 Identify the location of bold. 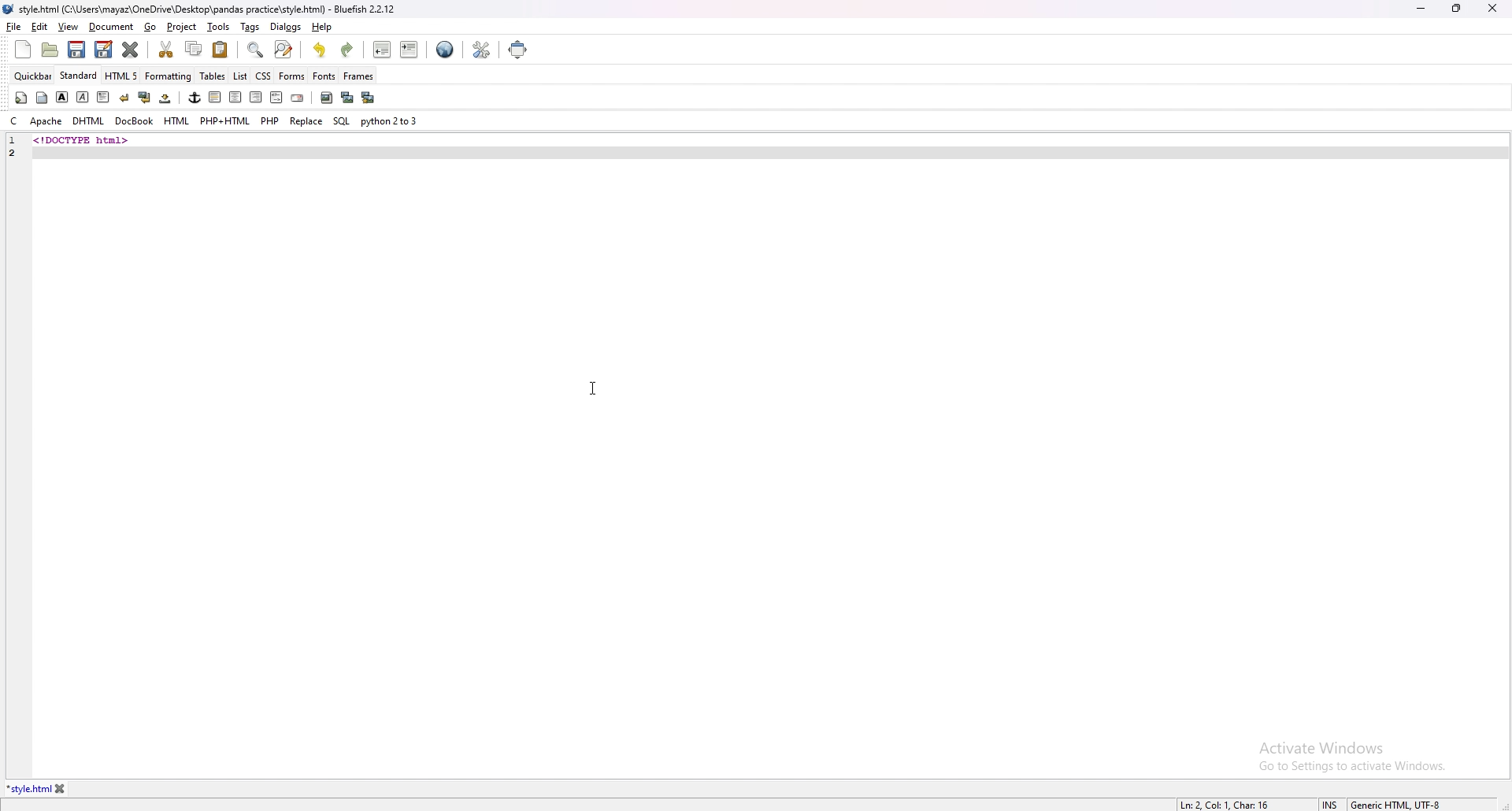
(62, 97).